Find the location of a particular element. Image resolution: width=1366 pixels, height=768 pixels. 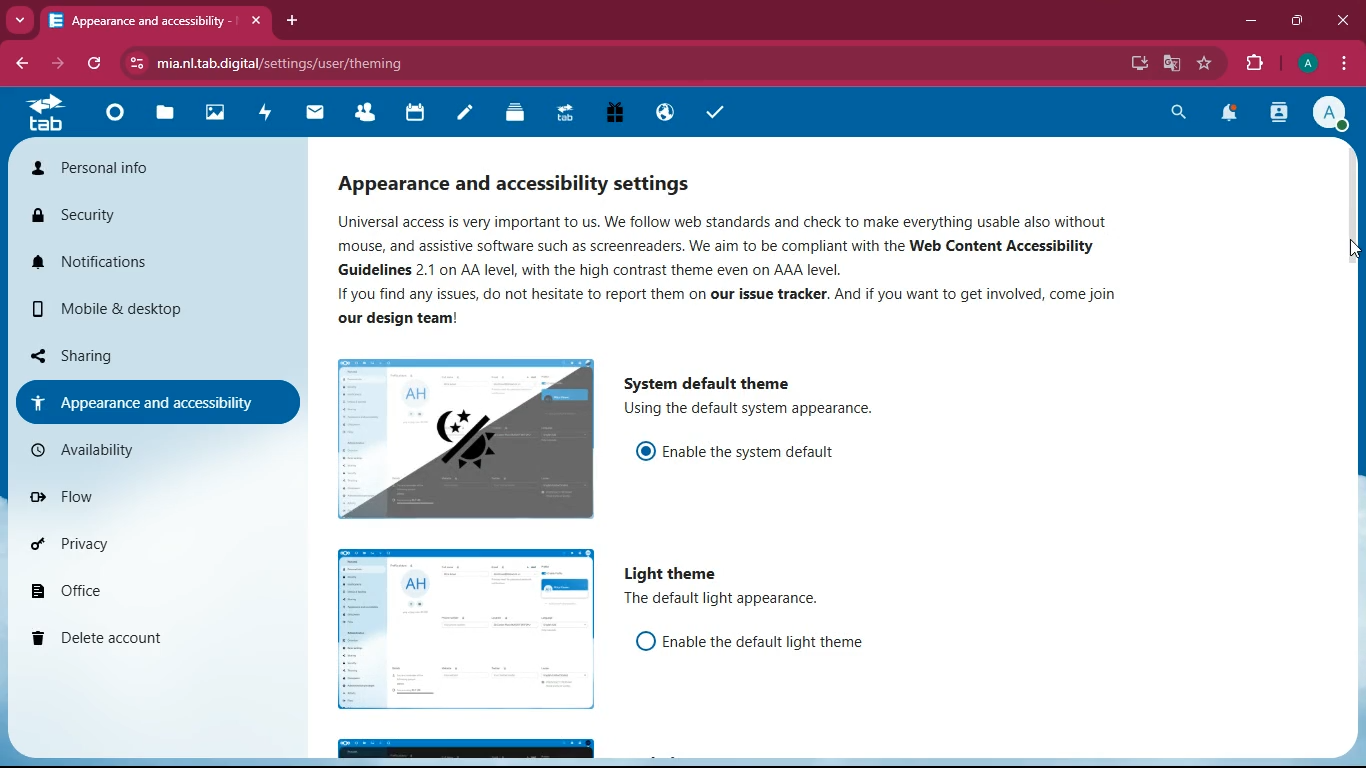

delete is located at coordinates (161, 641).